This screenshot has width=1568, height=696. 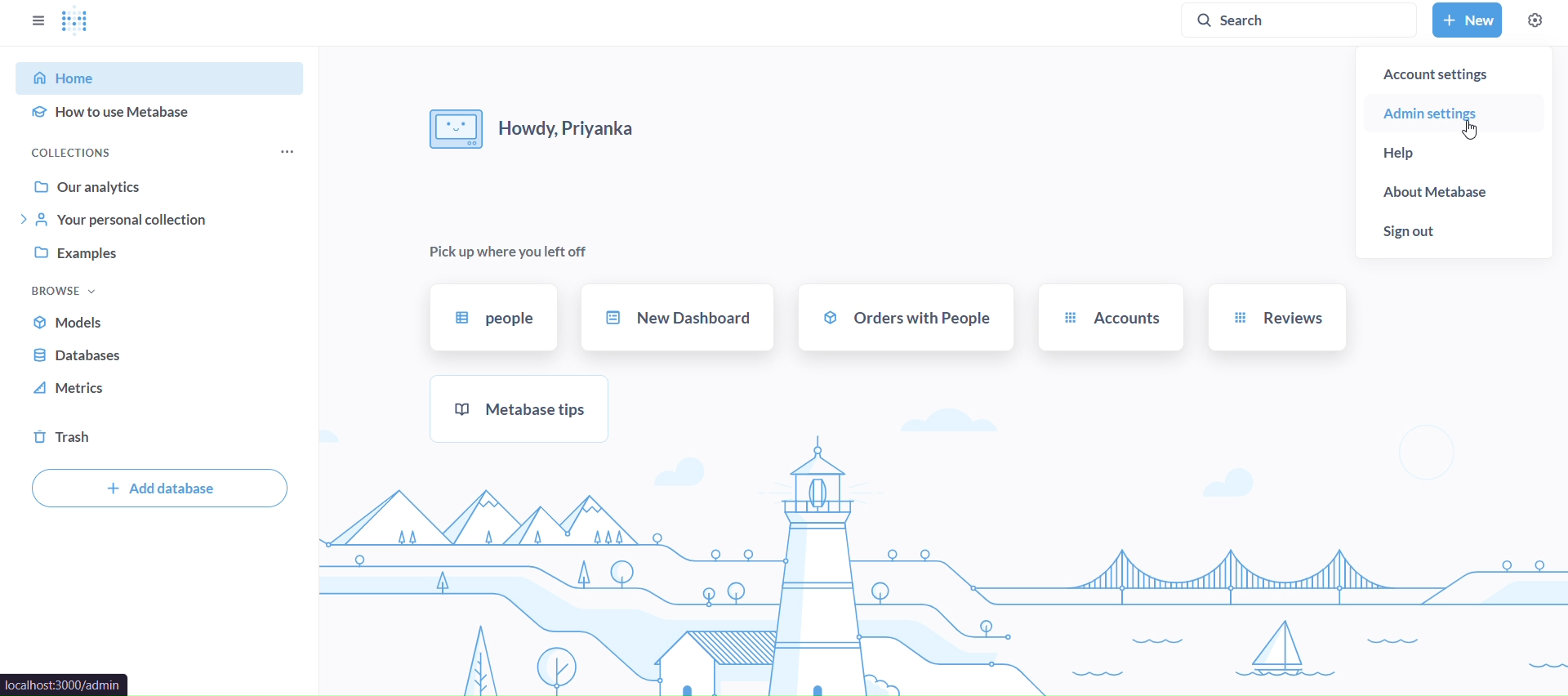 I want to click on sign out, so click(x=1452, y=230).